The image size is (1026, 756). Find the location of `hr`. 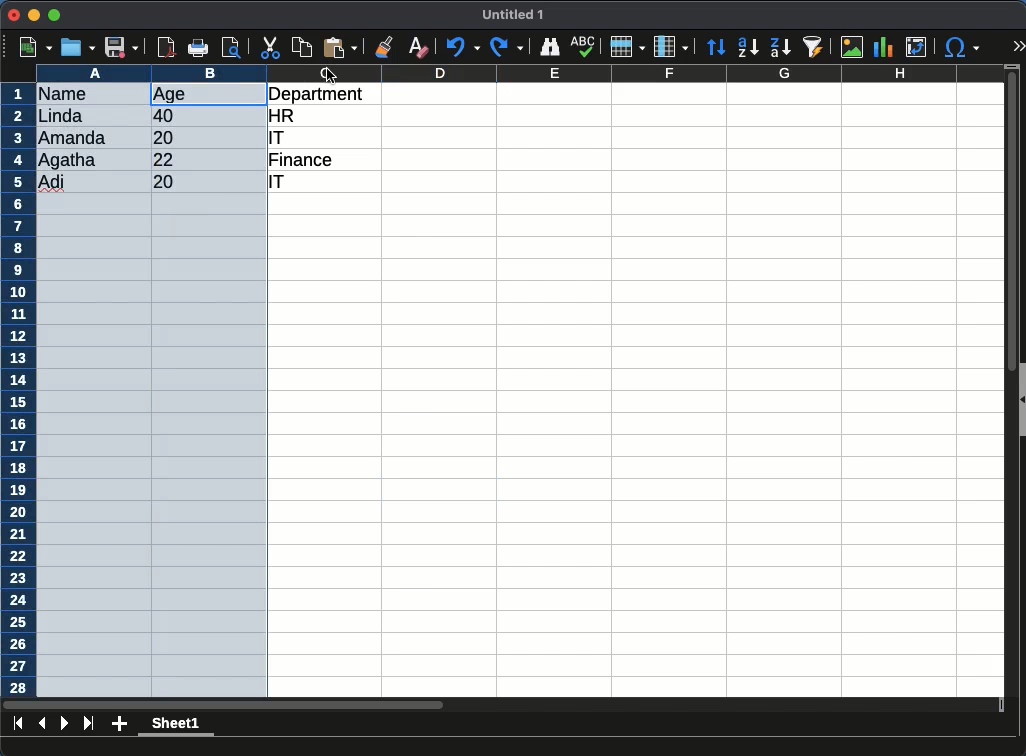

hr is located at coordinates (283, 115).